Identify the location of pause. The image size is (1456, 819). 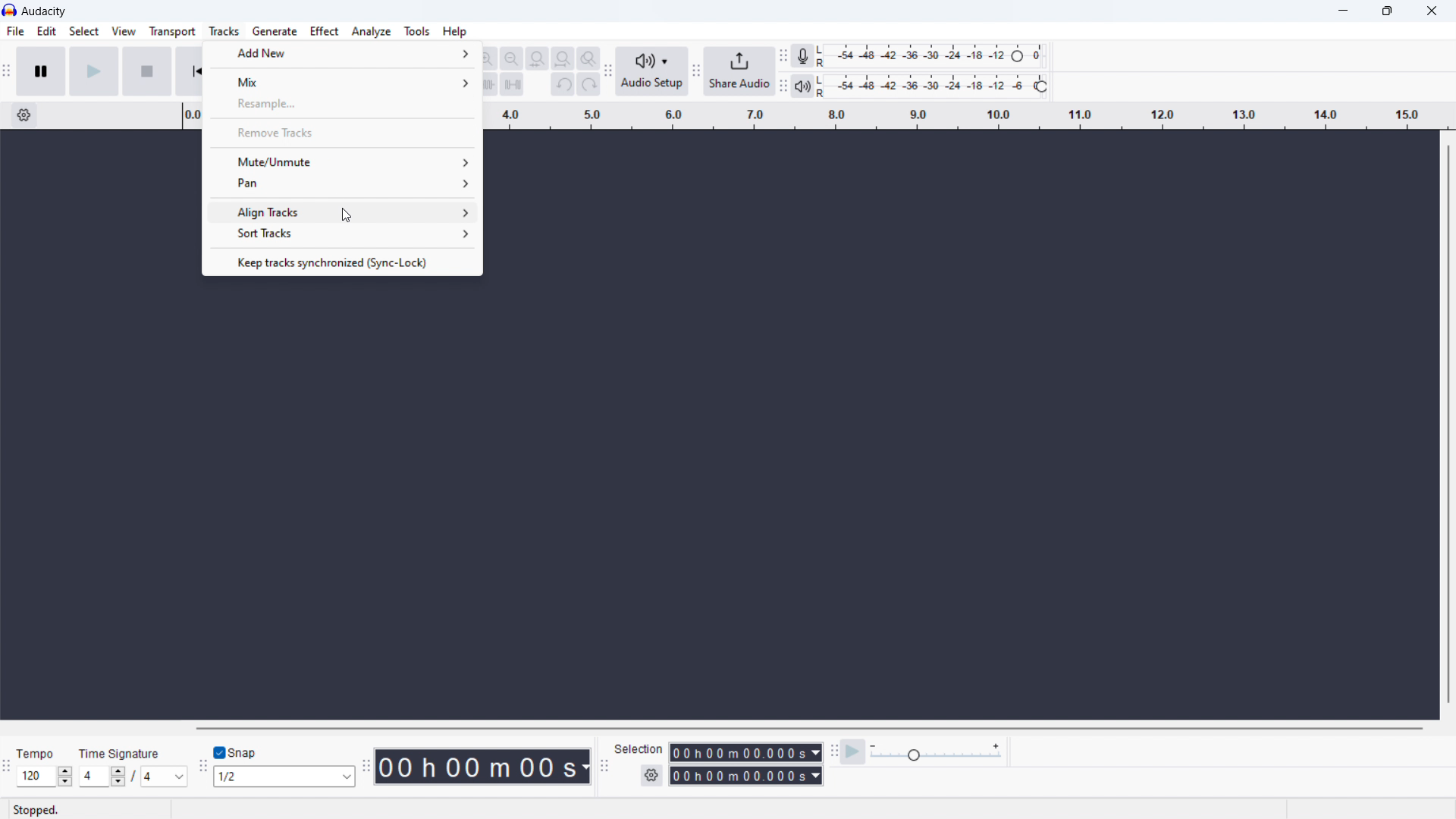
(40, 71).